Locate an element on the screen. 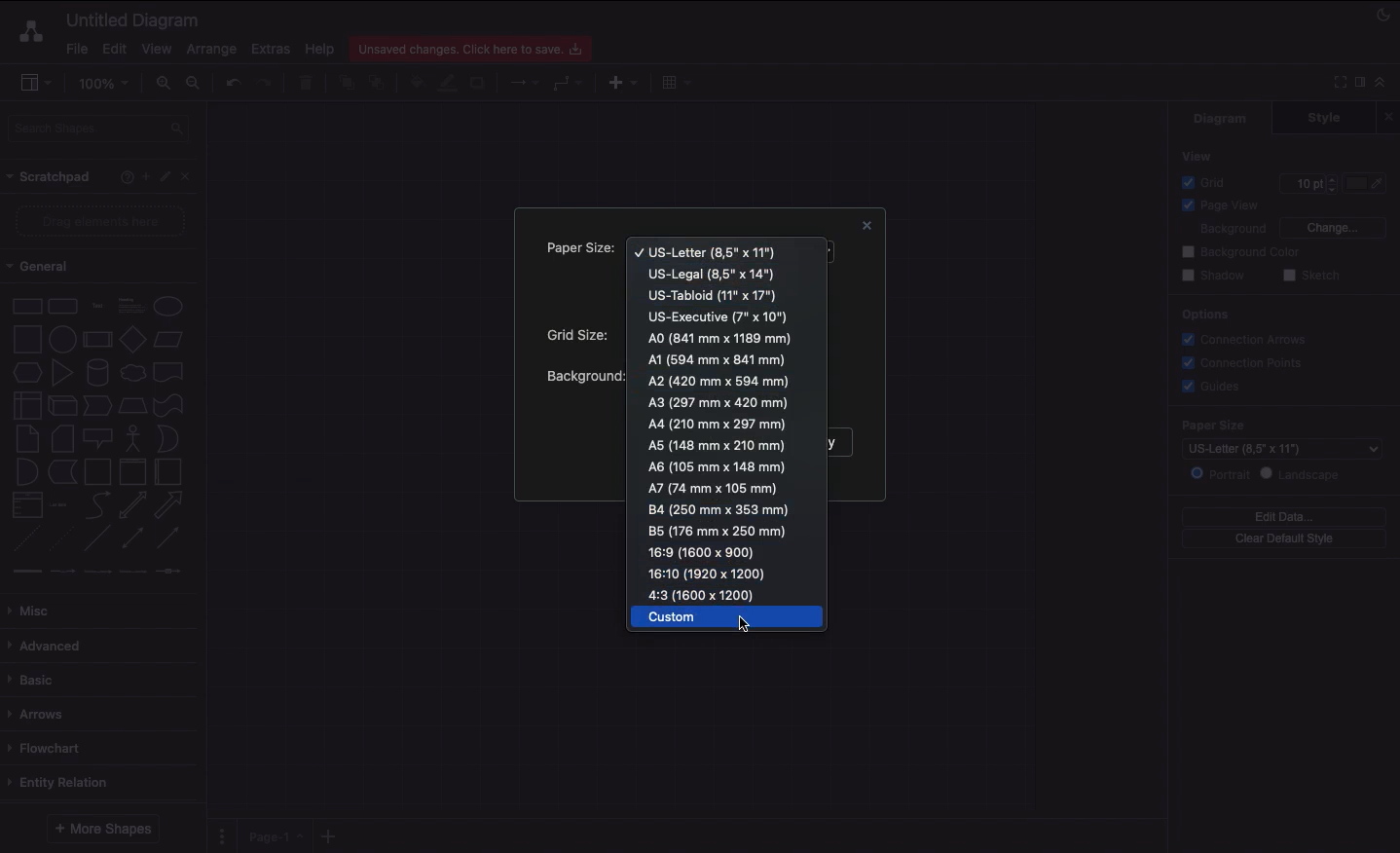  A1 is located at coordinates (717, 359).